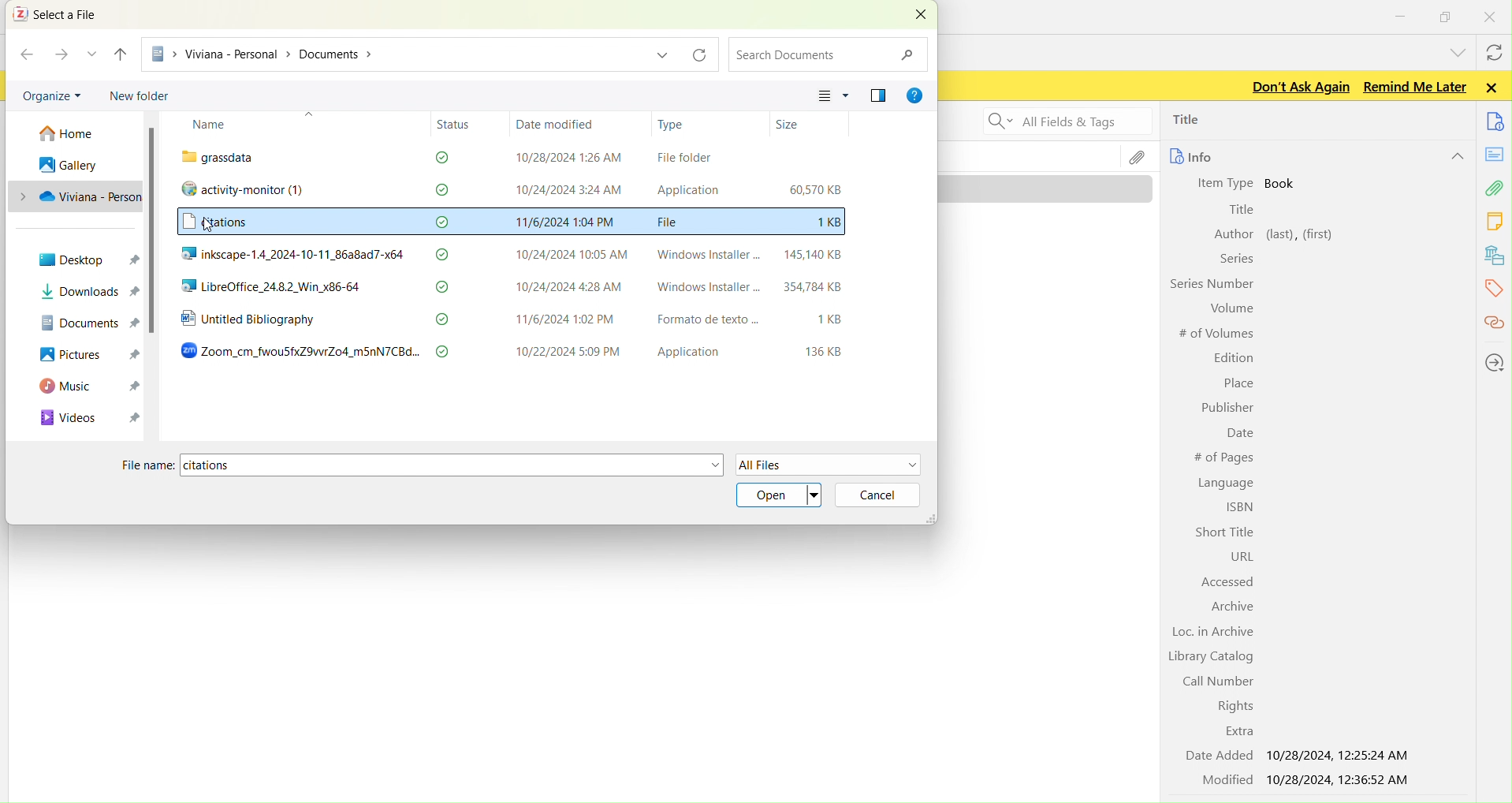  What do you see at coordinates (444, 351) in the screenshot?
I see `check` at bounding box center [444, 351].